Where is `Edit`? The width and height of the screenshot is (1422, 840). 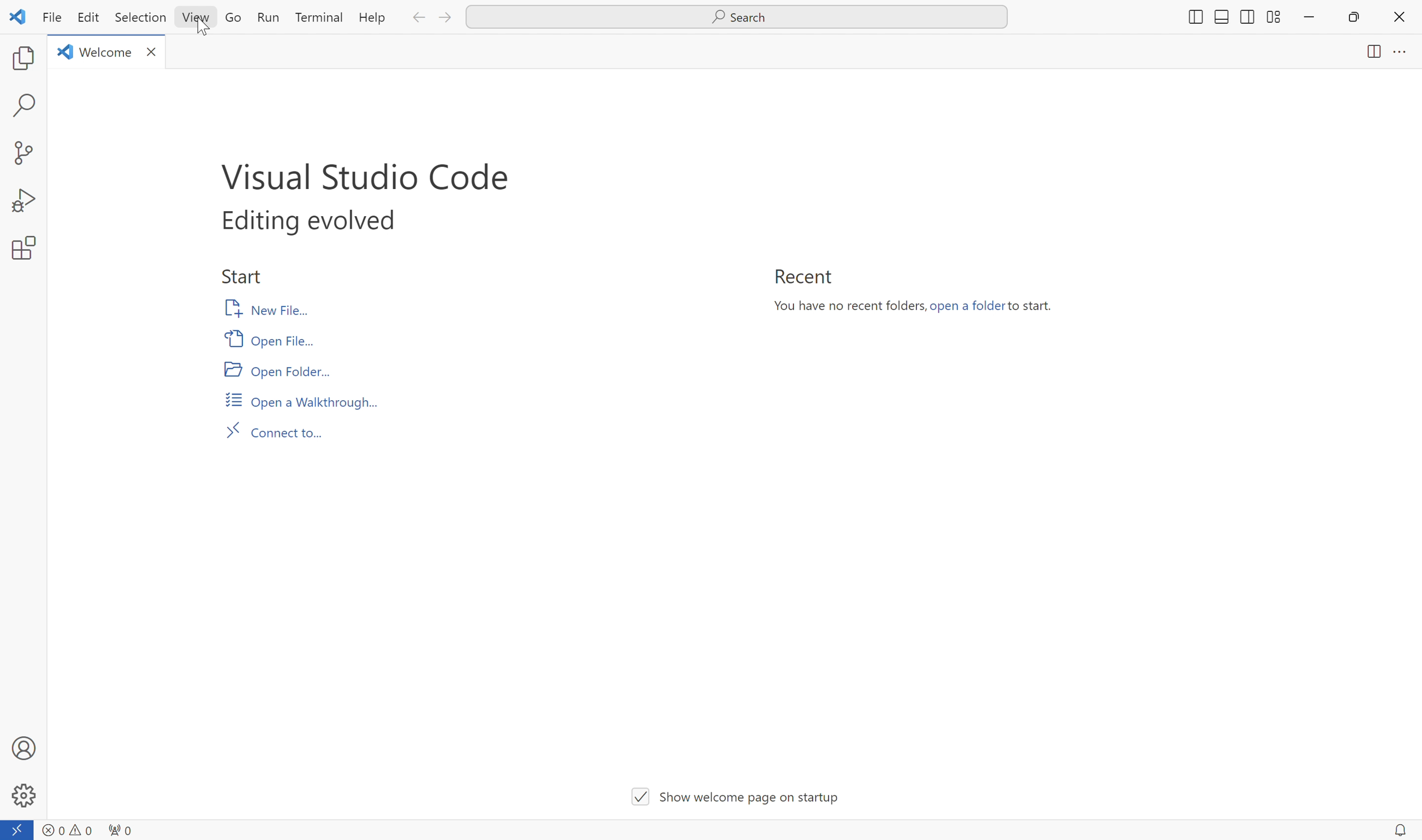
Edit is located at coordinates (91, 19).